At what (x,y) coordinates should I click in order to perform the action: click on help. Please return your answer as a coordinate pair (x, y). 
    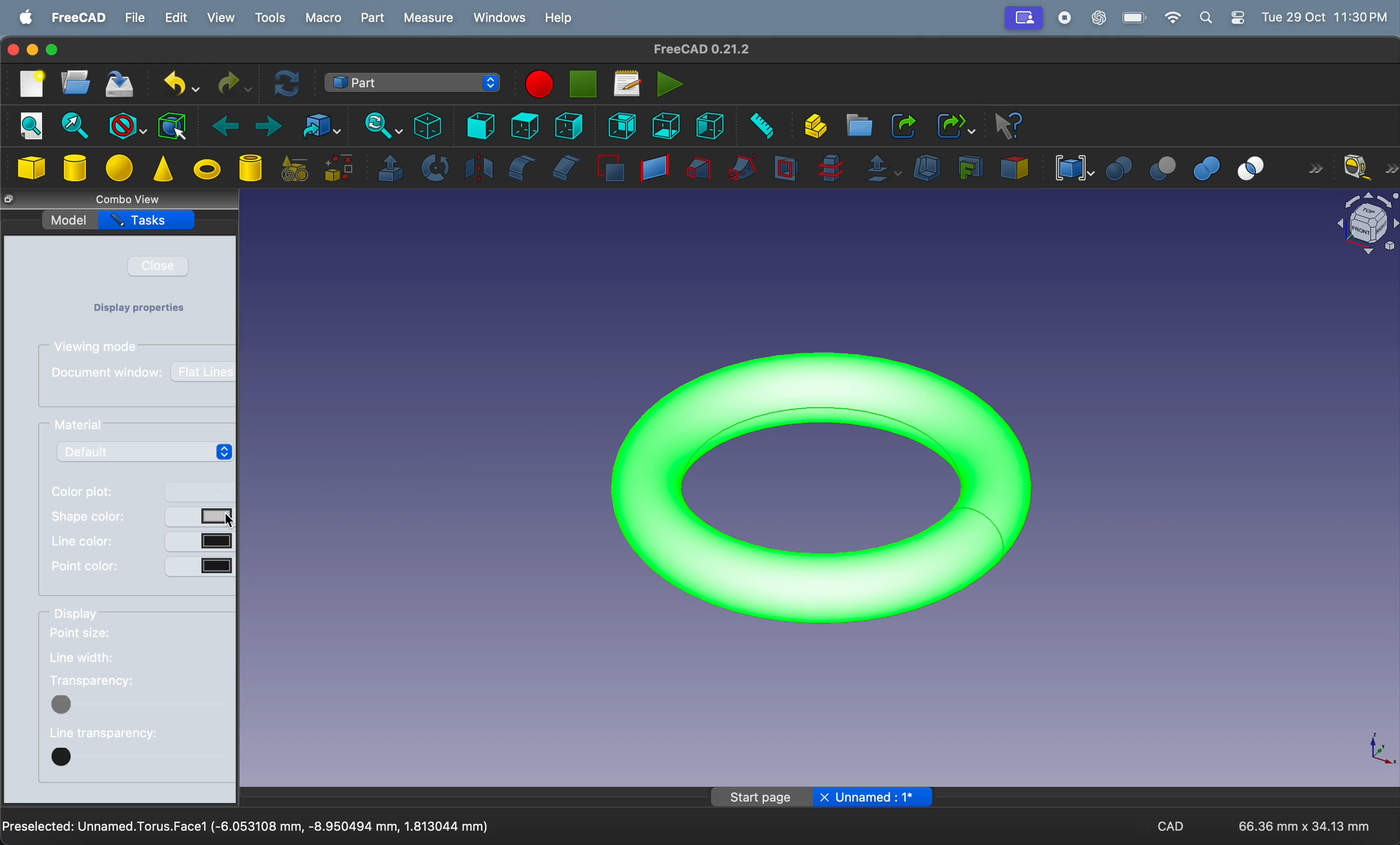
    Looking at the image, I should click on (560, 18).